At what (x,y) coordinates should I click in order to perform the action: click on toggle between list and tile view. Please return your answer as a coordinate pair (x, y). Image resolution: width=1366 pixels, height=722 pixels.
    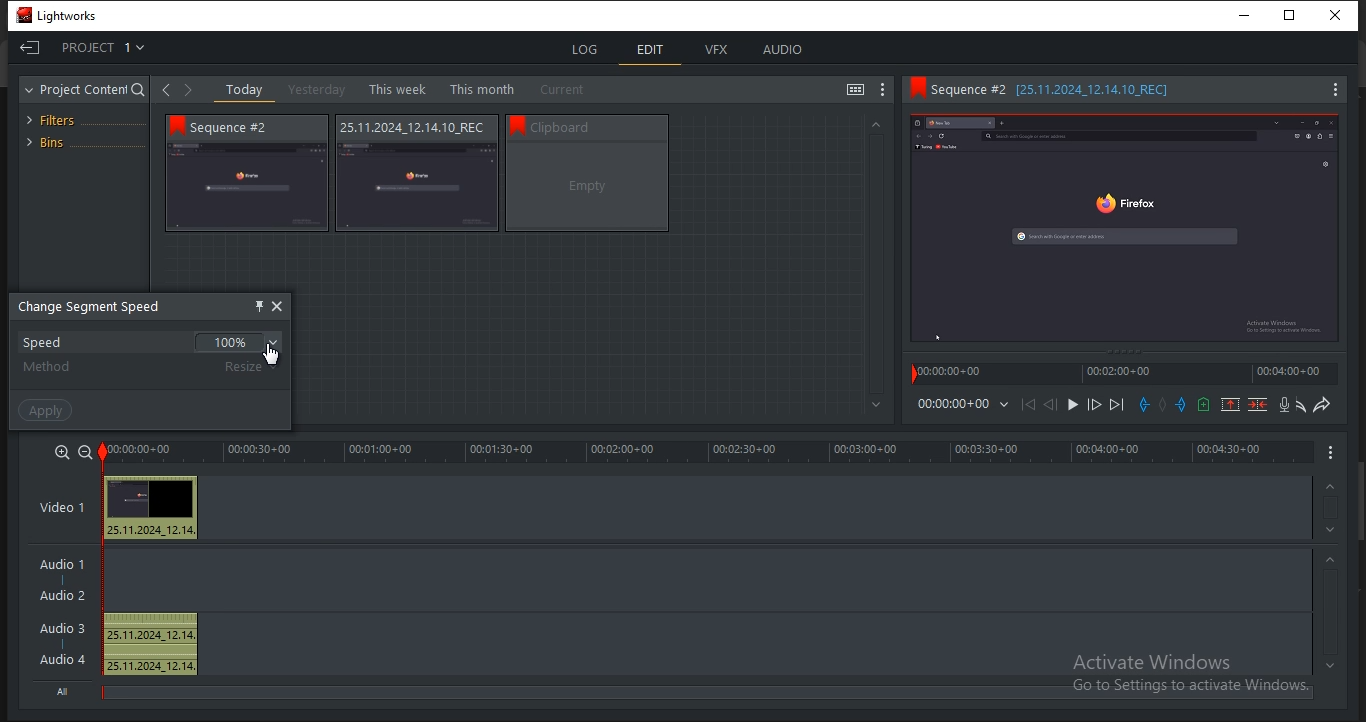
    Looking at the image, I should click on (856, 89).